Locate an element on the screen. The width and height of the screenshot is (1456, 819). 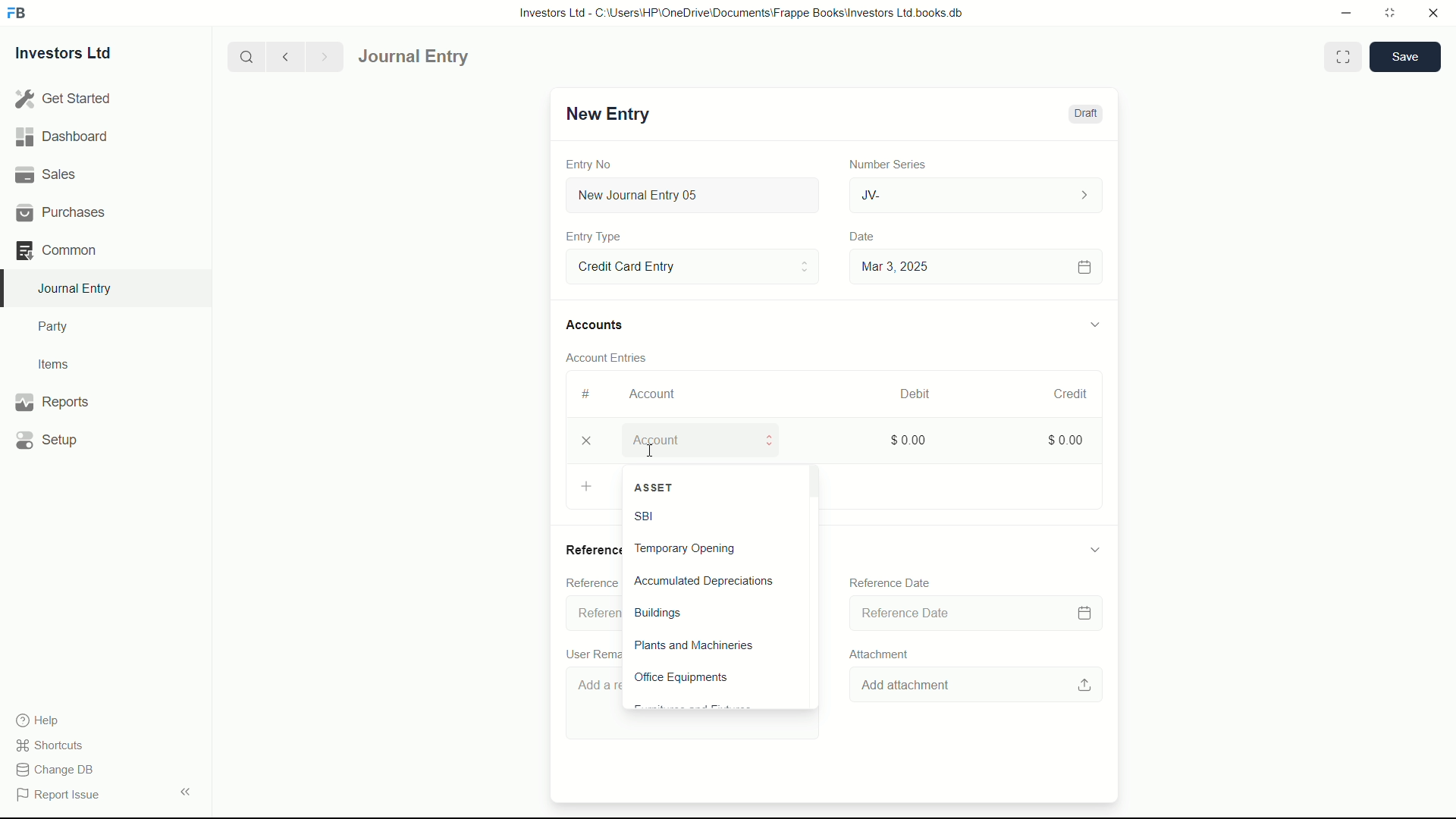
Office Equipments is located at coordinates (714, 676).